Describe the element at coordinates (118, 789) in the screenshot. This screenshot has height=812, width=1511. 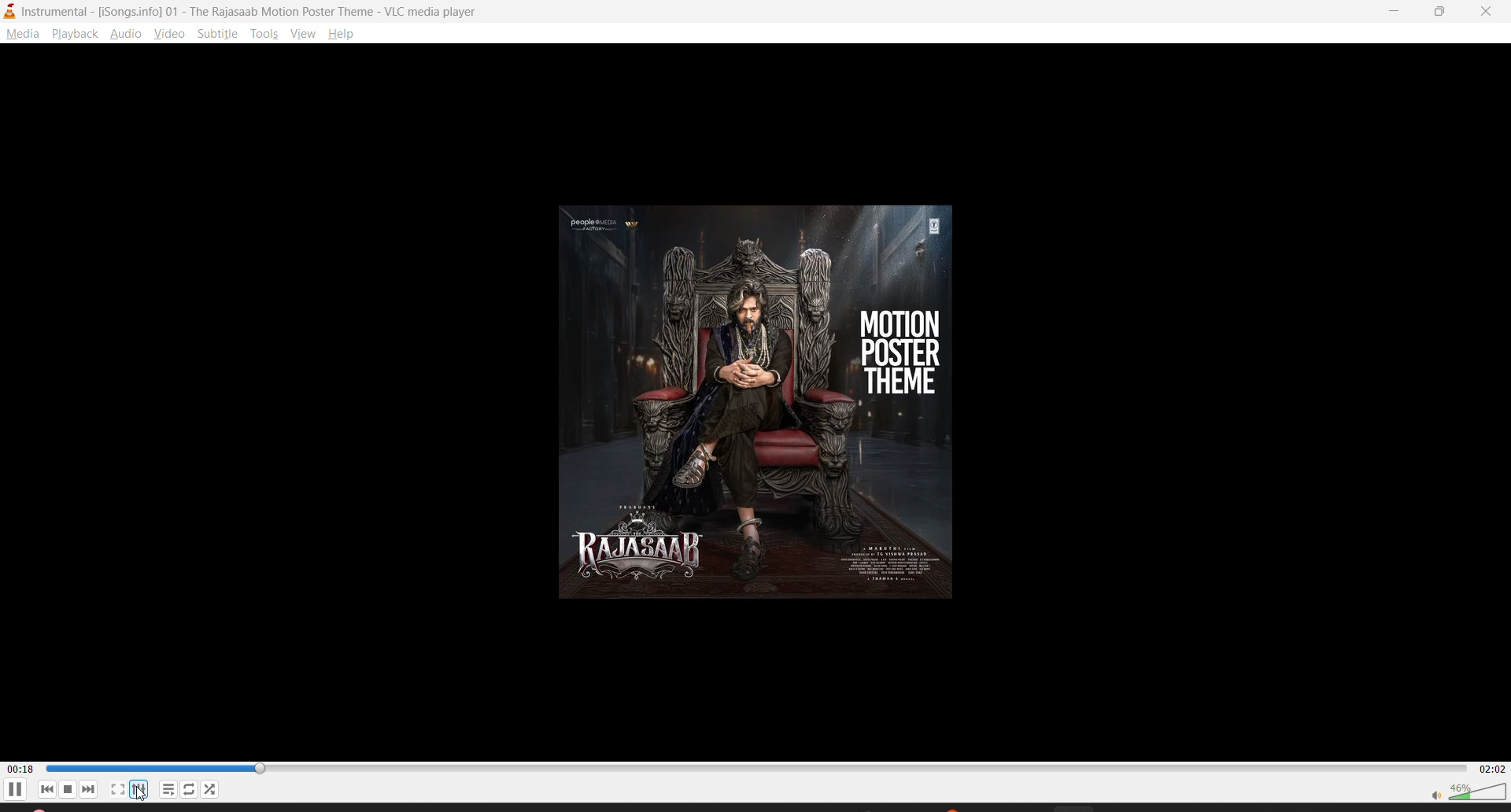
I see `fullscreen` at that location.